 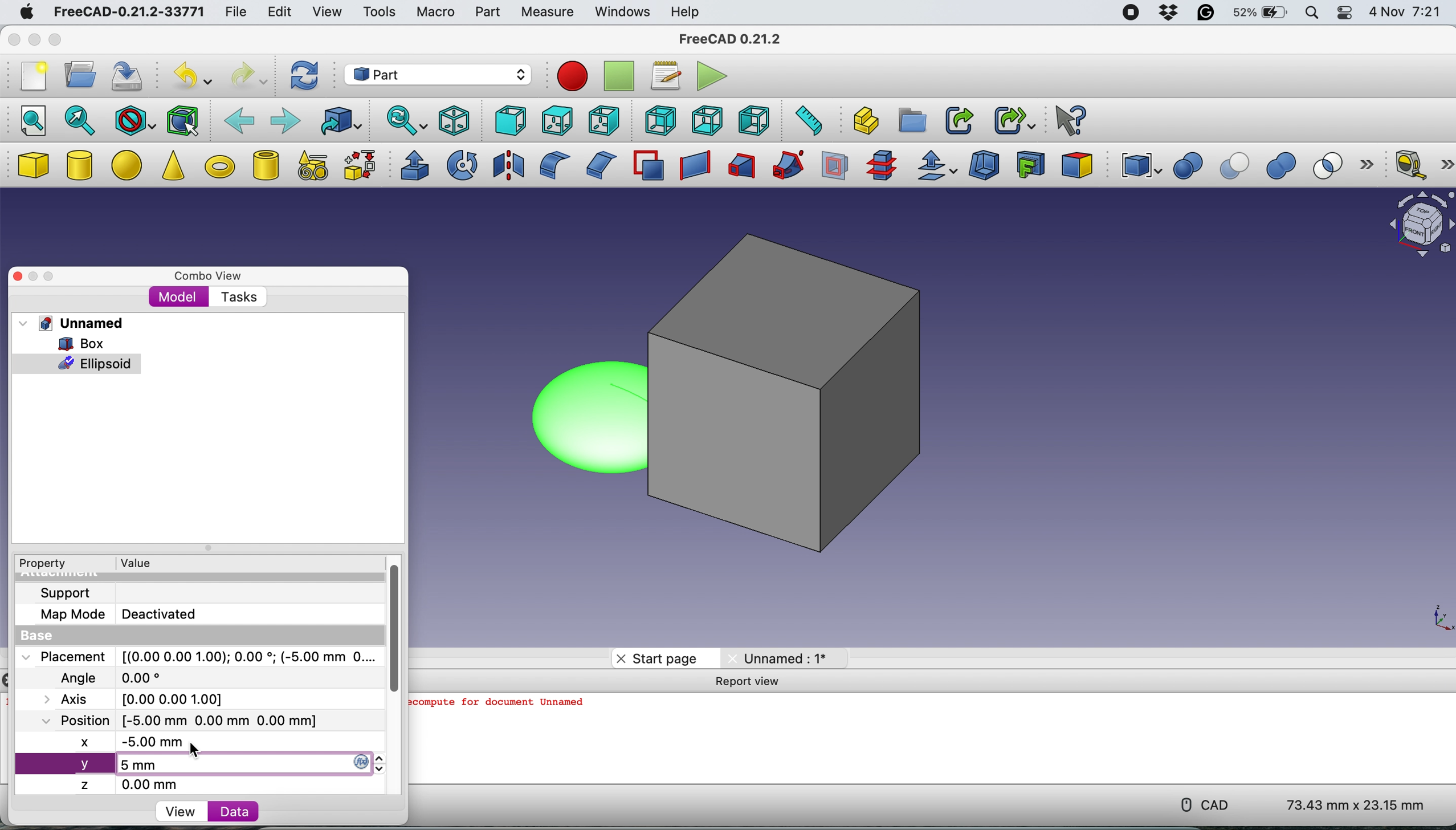 I want to click on 73.43 mm x 23.15 mm, so click(x=1357, y=806).